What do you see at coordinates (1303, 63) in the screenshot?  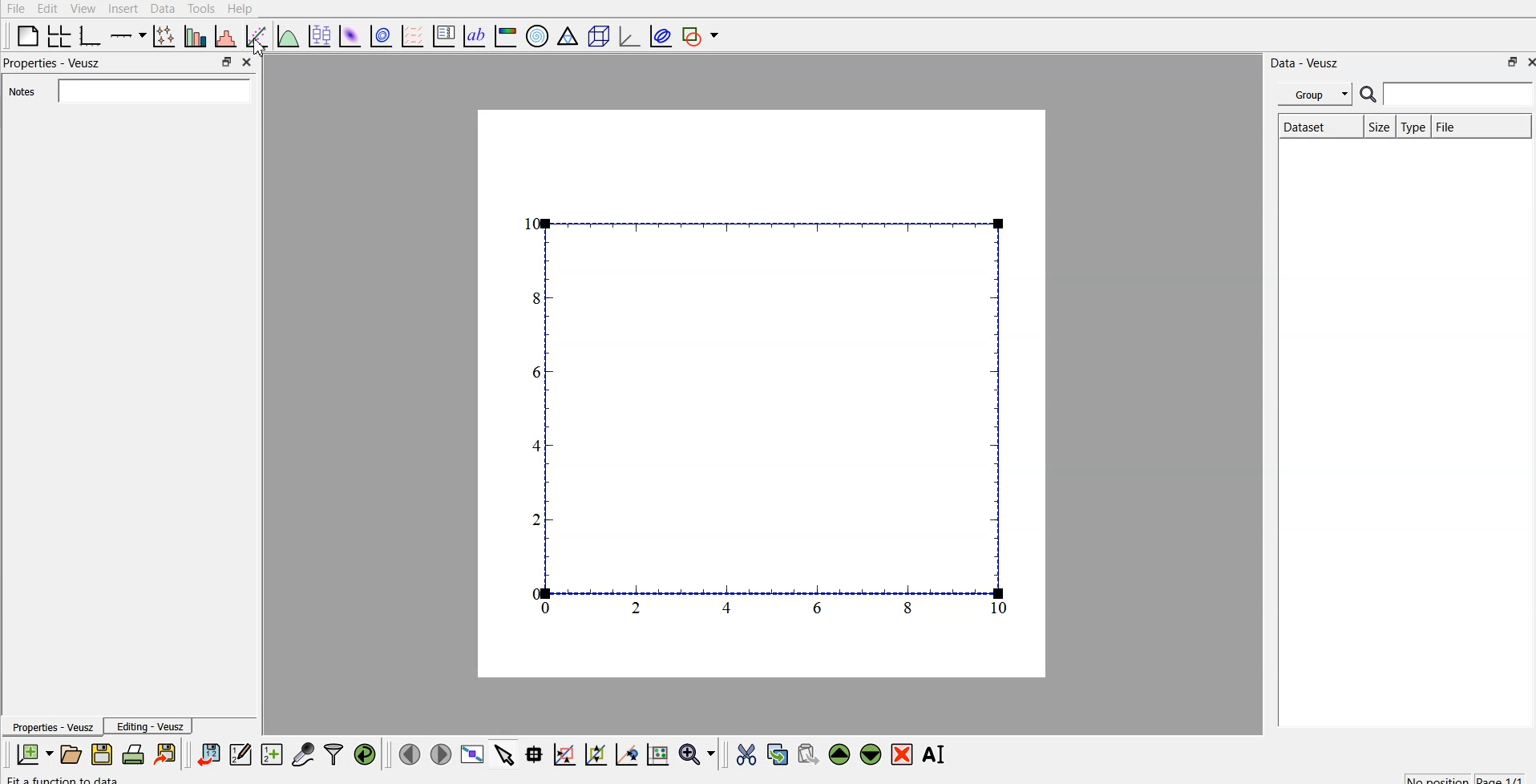 I see `| Data - Veusz` at bounding box center [1303, 63].